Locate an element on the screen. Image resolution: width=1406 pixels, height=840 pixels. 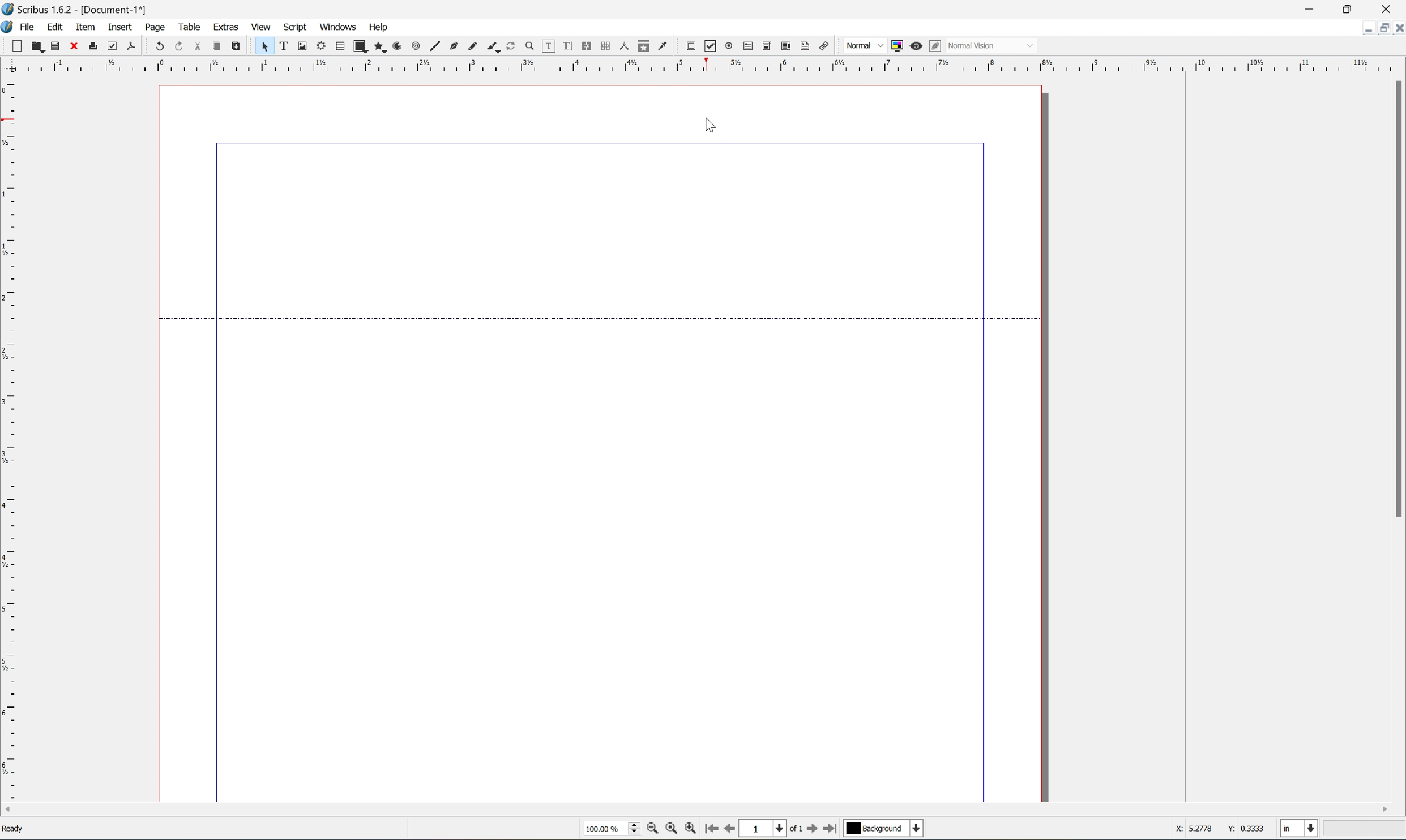
view is located at coordinates (263, 25).